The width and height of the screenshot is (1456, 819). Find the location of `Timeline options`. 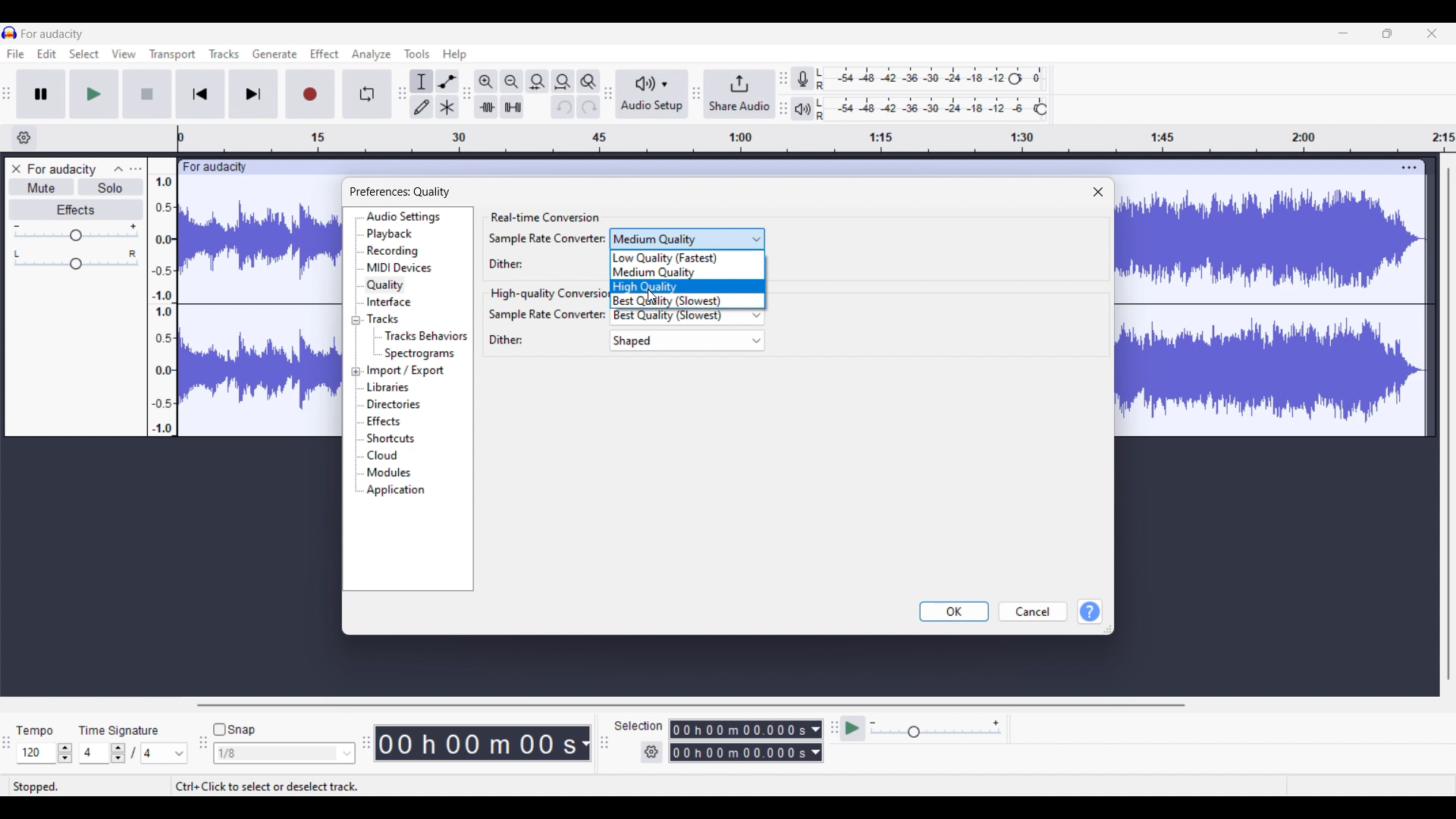

Timeline options is located at coordinates (24, 138).